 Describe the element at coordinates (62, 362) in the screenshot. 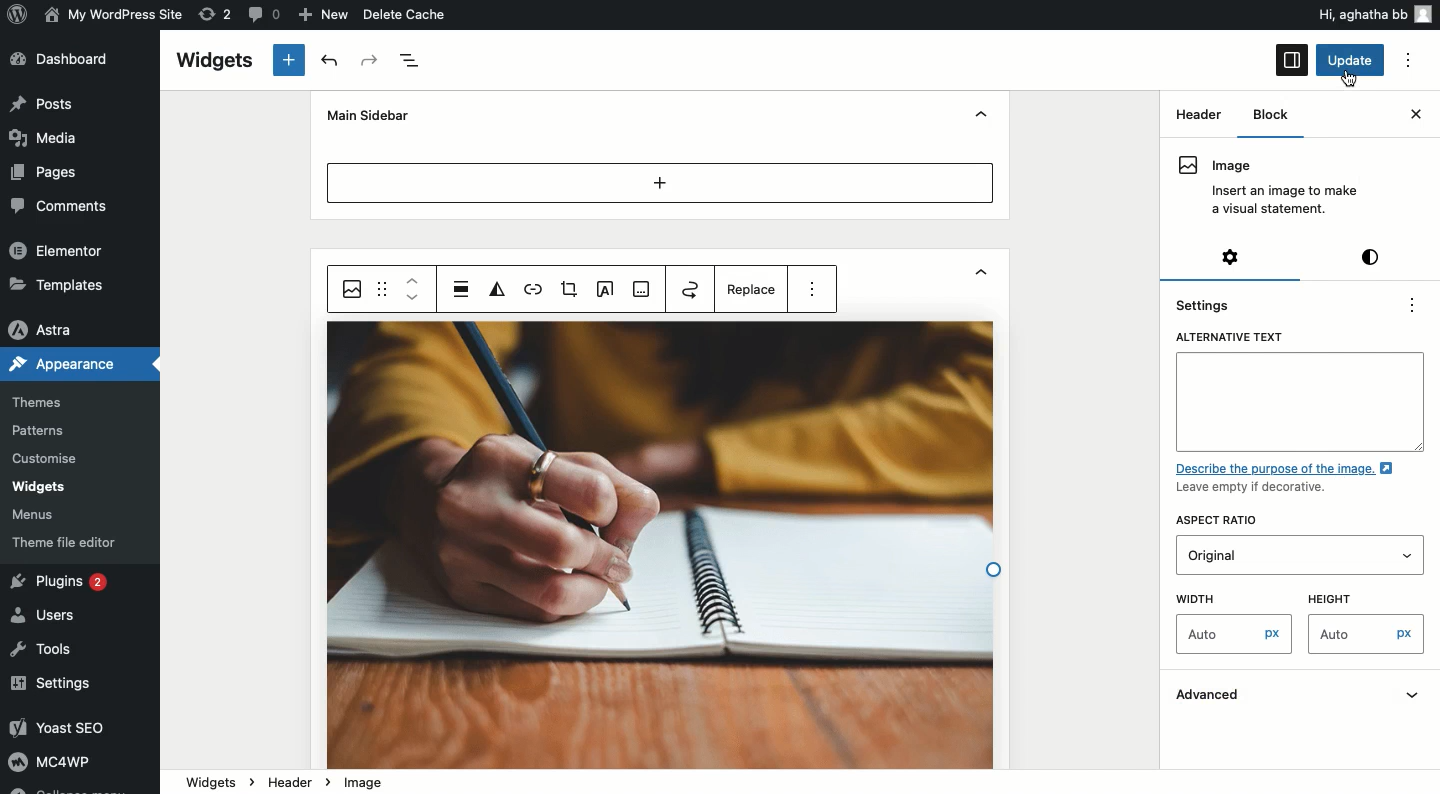

I see `Appearance` at that location.